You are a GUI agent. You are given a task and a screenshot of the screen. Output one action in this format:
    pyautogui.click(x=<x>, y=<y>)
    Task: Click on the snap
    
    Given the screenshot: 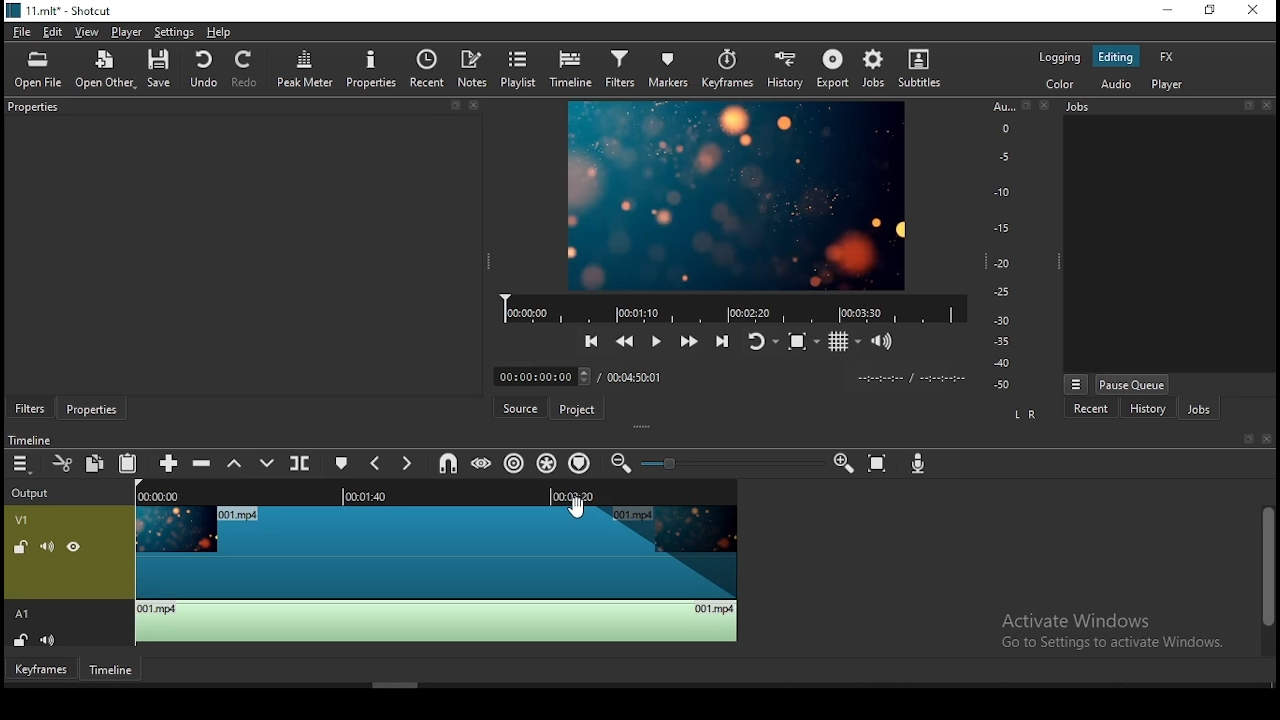 What is the action you would take?
    pyautogui.click(x=447, y=462)
    